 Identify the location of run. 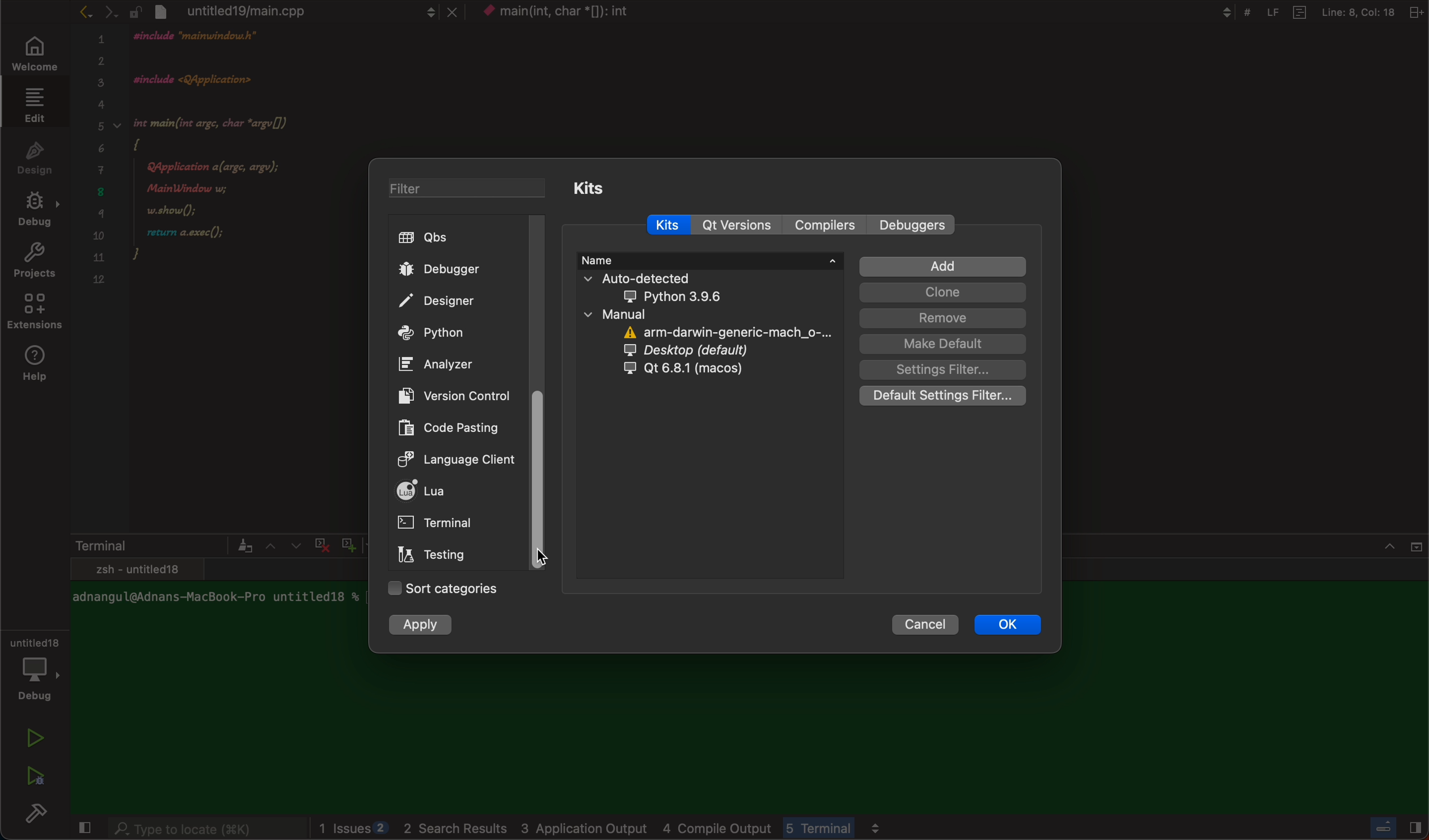
(36, 738).